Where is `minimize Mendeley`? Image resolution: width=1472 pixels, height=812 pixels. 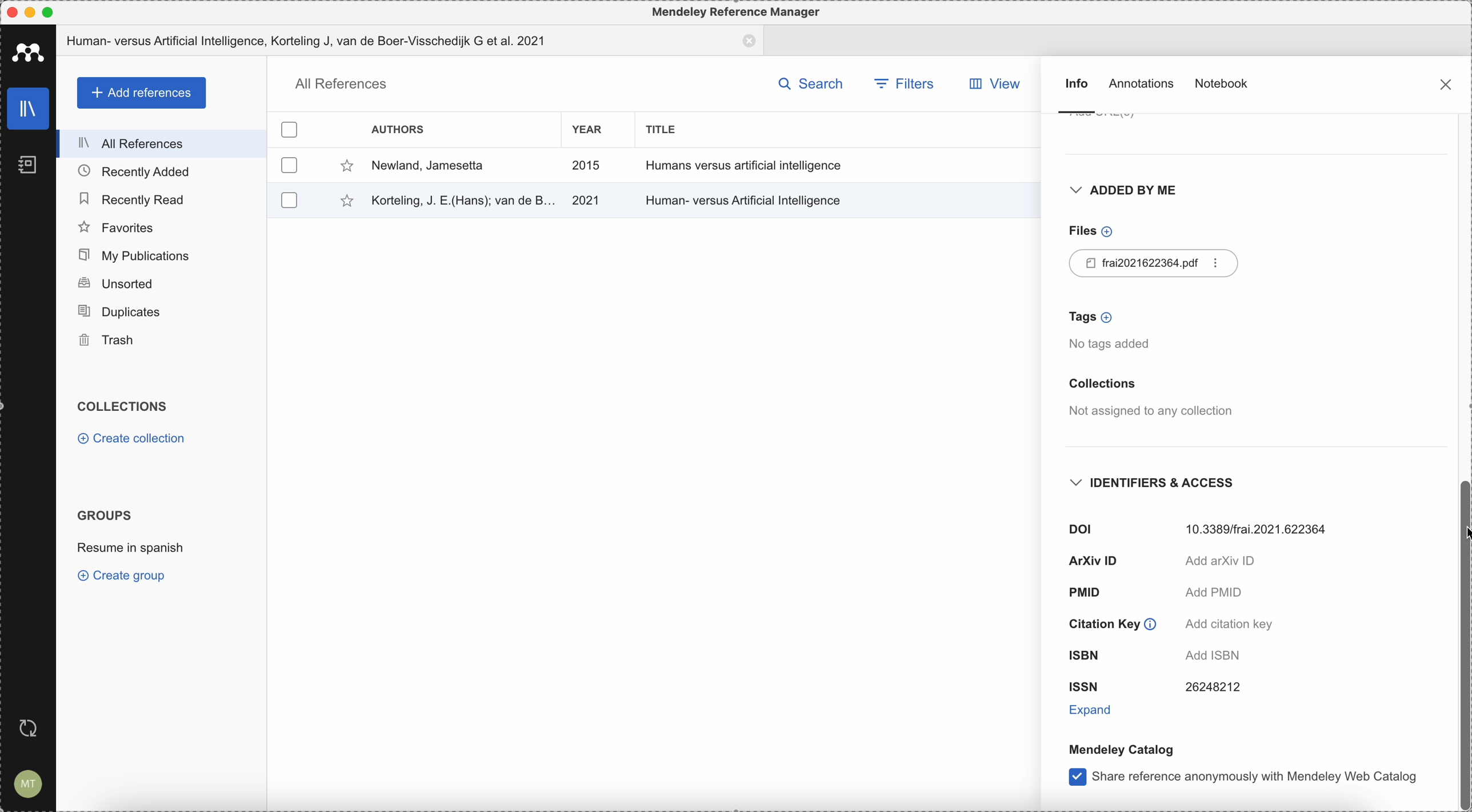 minimize Mendeley is located at coordinates (33, 11).